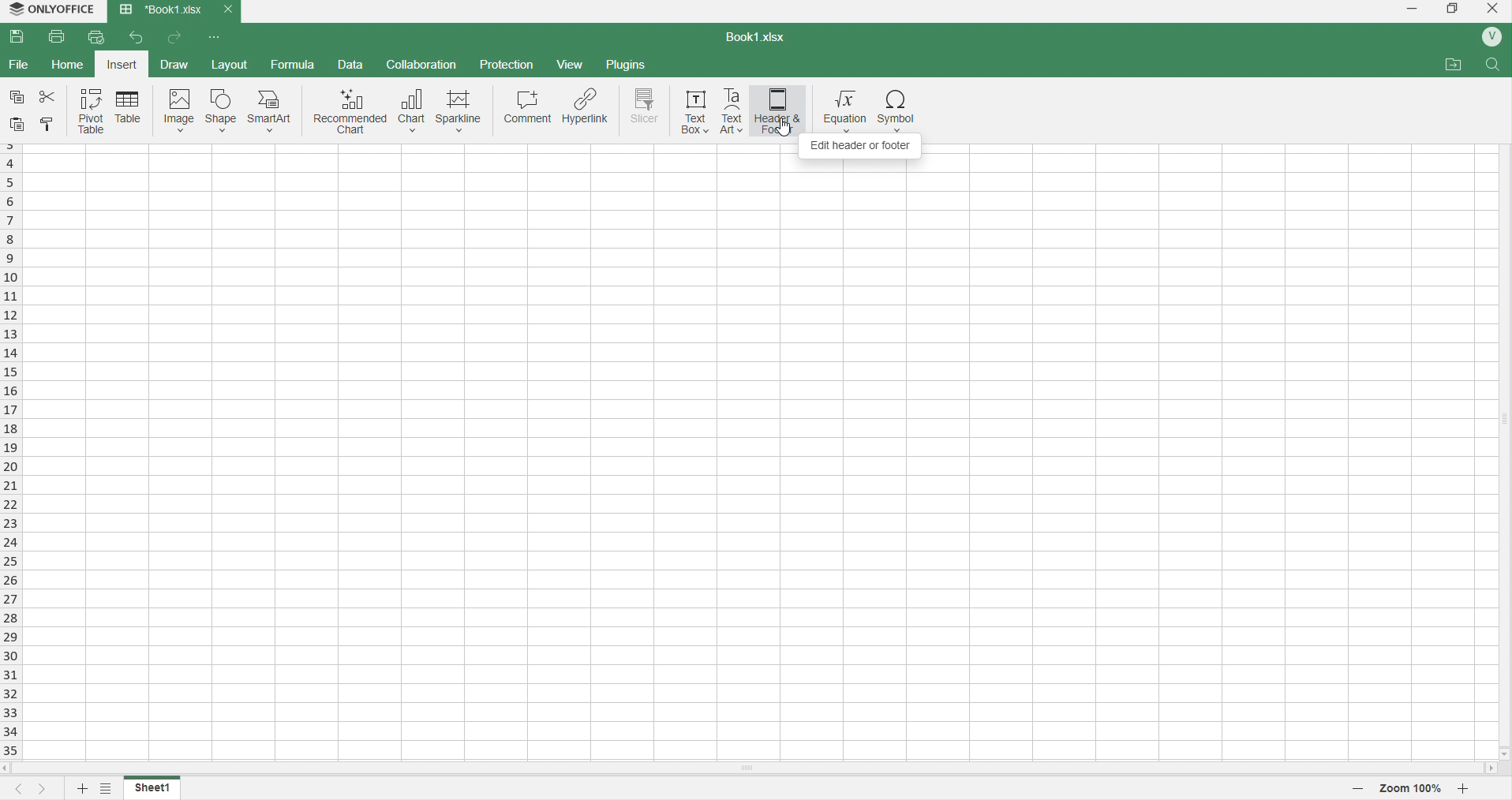  I want to click on symbol, so click(896, 111).